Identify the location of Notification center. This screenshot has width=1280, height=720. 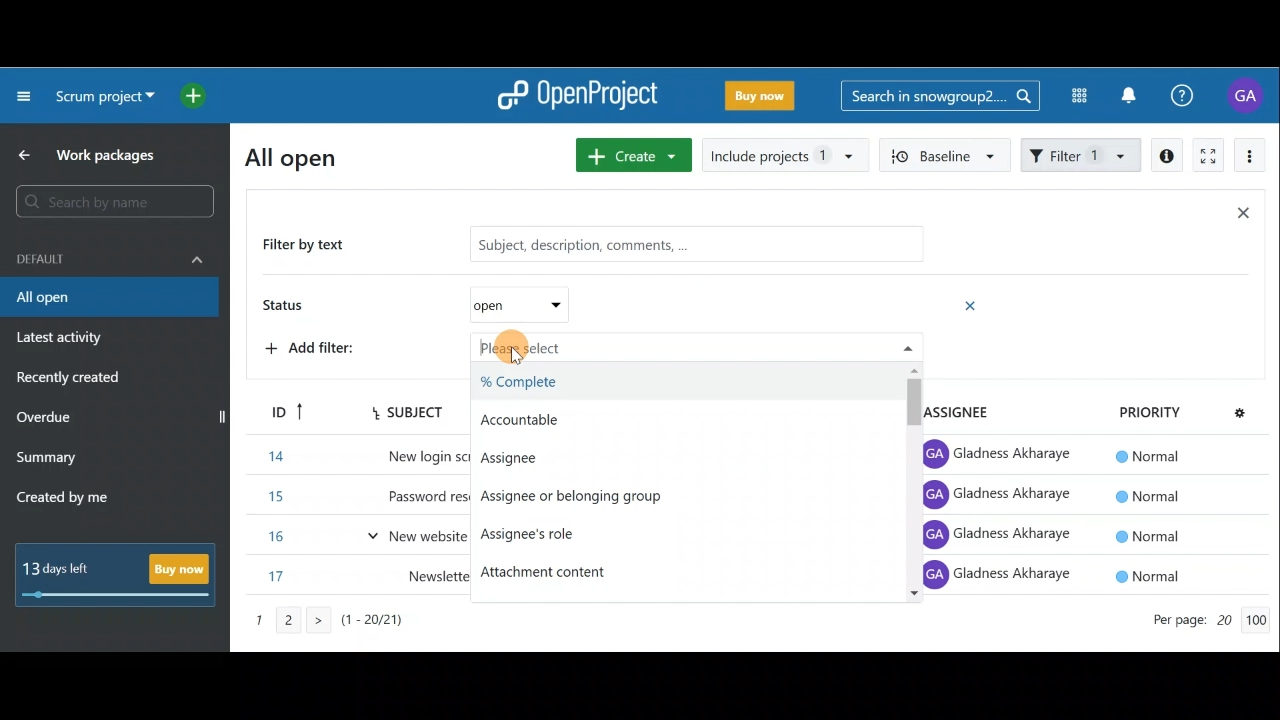
(1131, 93).